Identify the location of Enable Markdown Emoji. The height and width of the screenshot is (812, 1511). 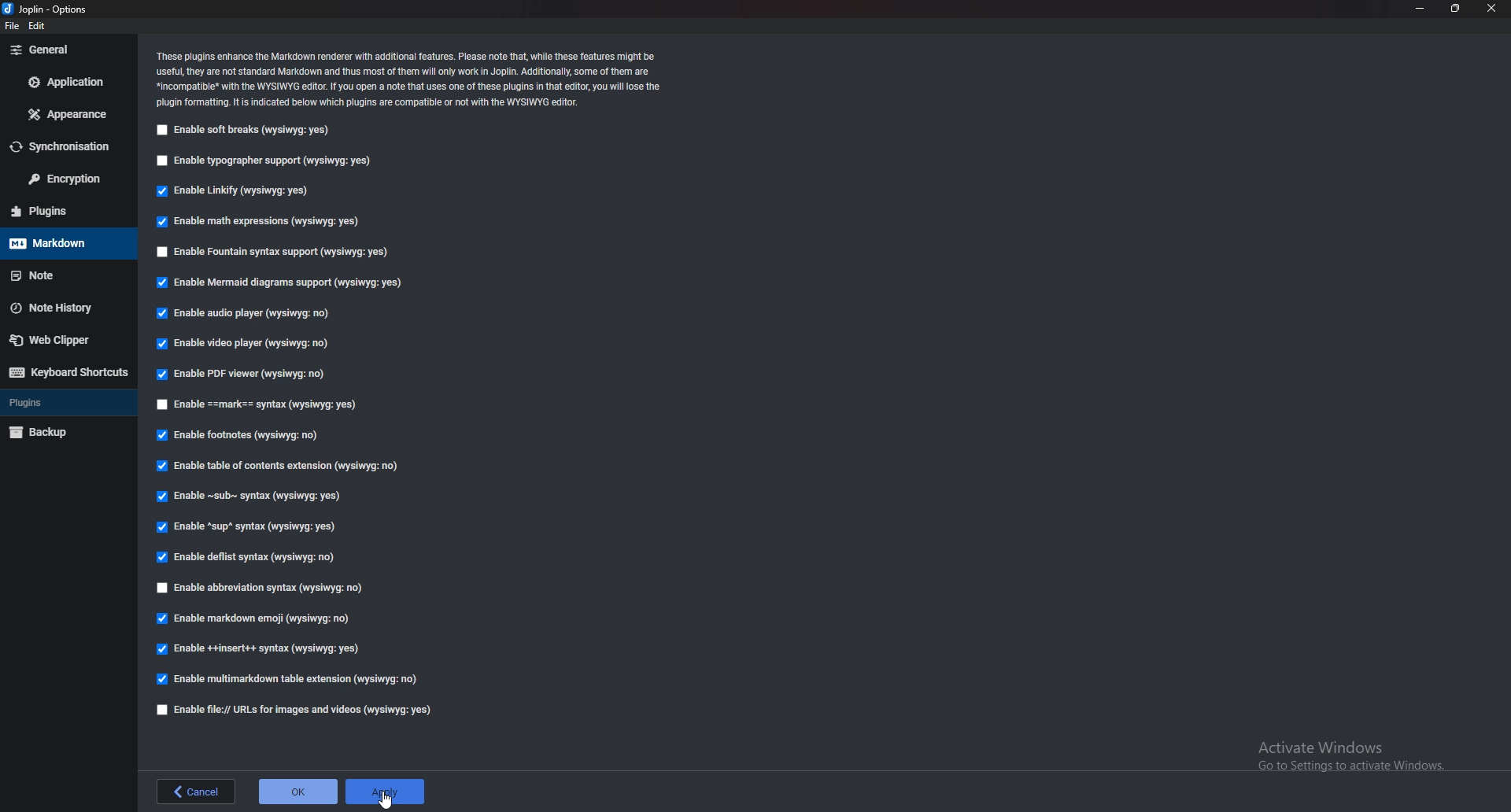
(255, 618).